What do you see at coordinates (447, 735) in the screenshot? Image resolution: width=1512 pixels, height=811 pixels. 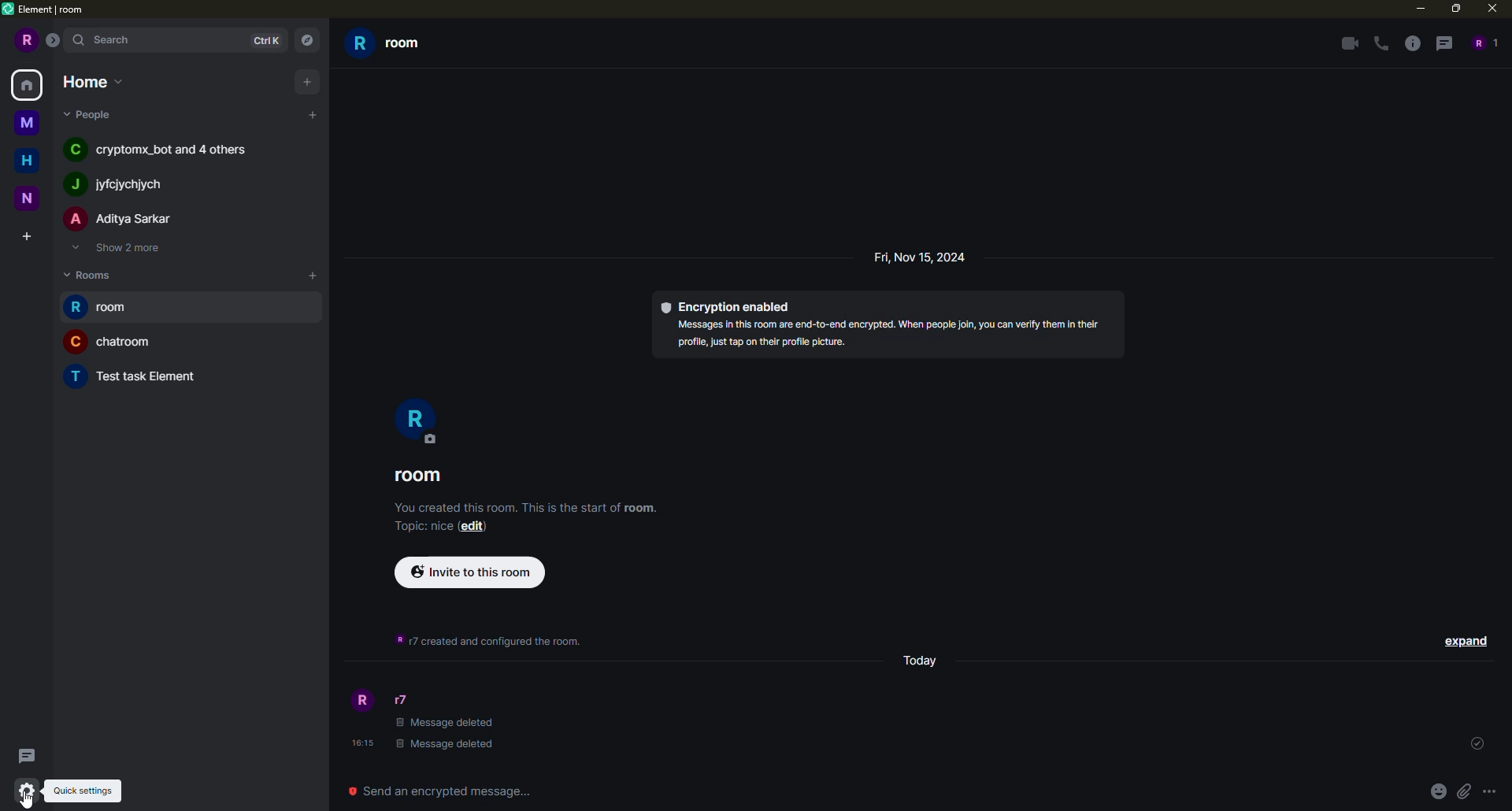 I see `deleted` at bounding box center [447, 735].